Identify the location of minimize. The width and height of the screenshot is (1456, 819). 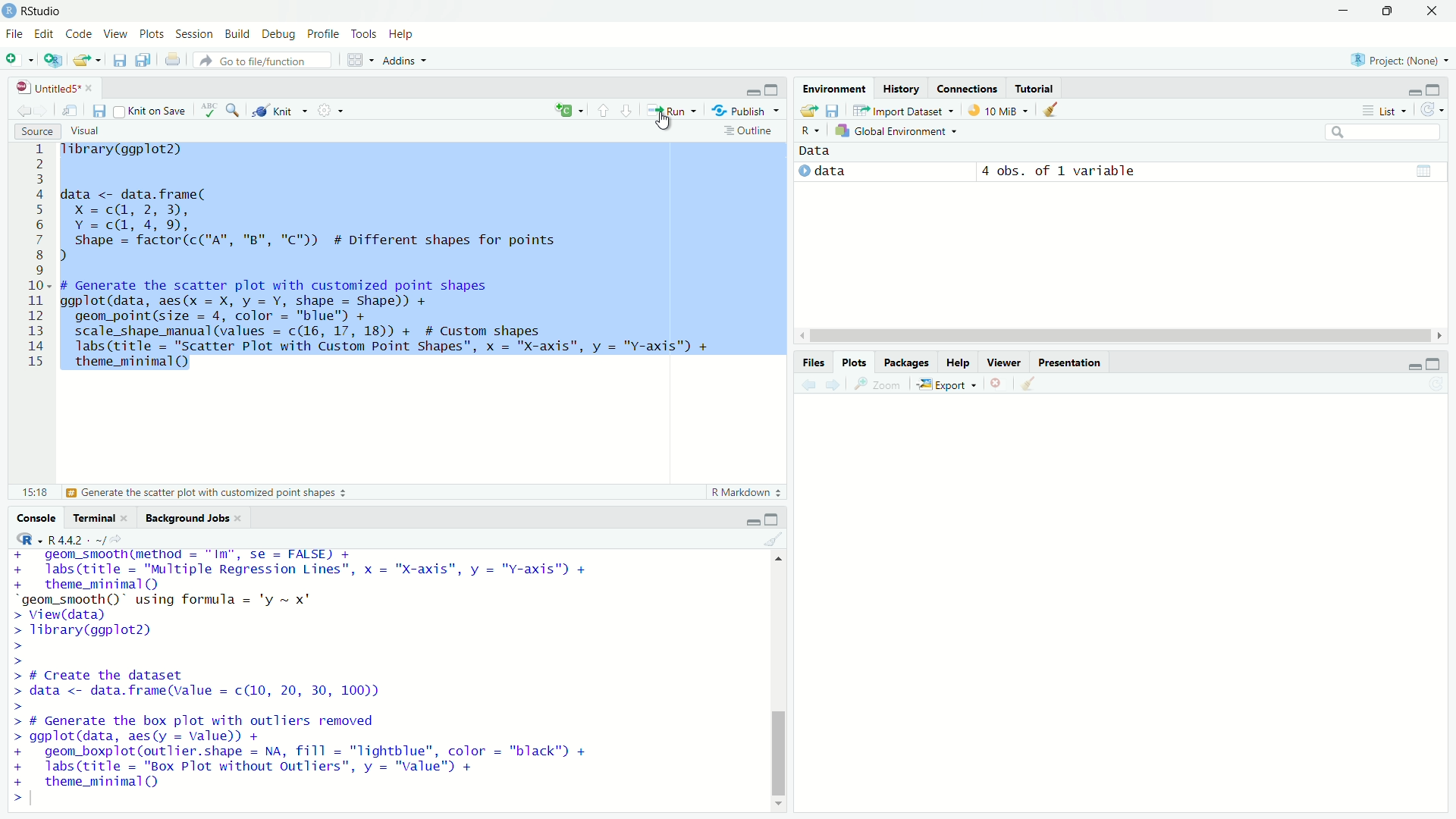
(752, 92).